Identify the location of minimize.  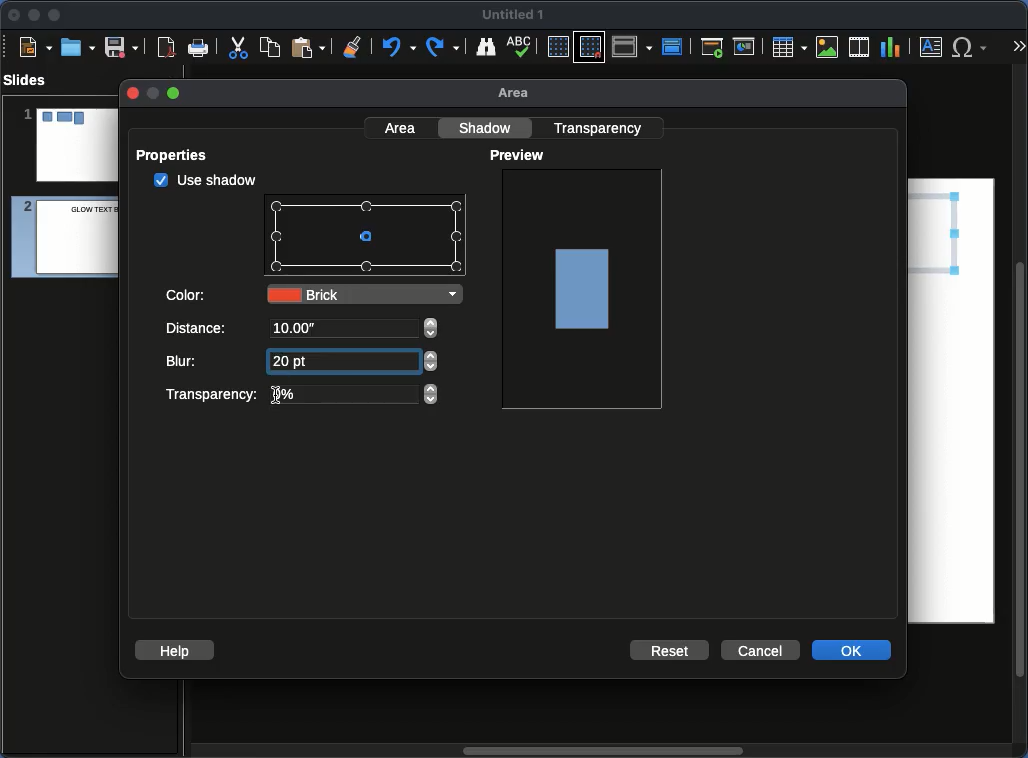
(151, 93).